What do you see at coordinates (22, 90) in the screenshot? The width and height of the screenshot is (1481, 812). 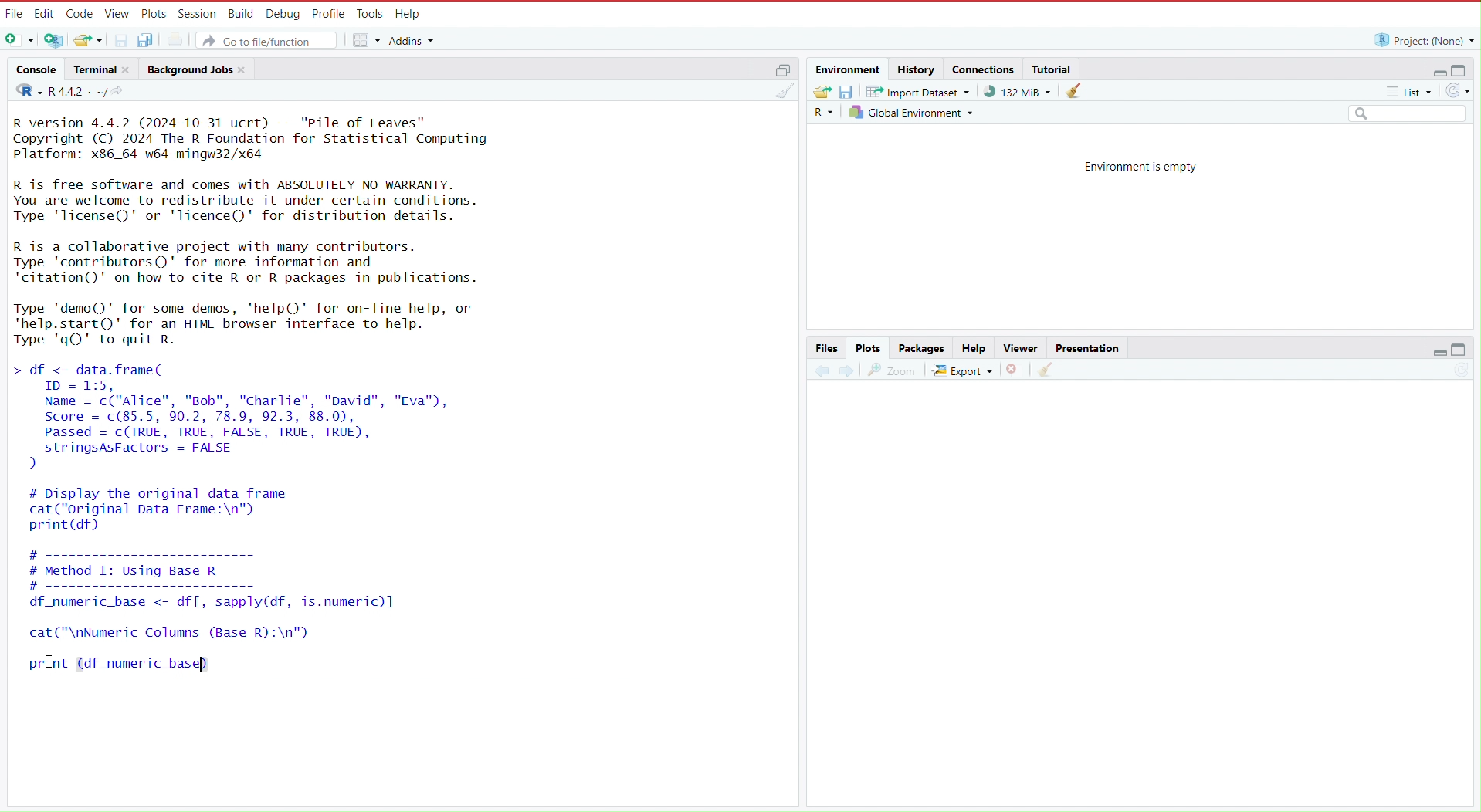 I see `language select` at bounding box center [22, 90].